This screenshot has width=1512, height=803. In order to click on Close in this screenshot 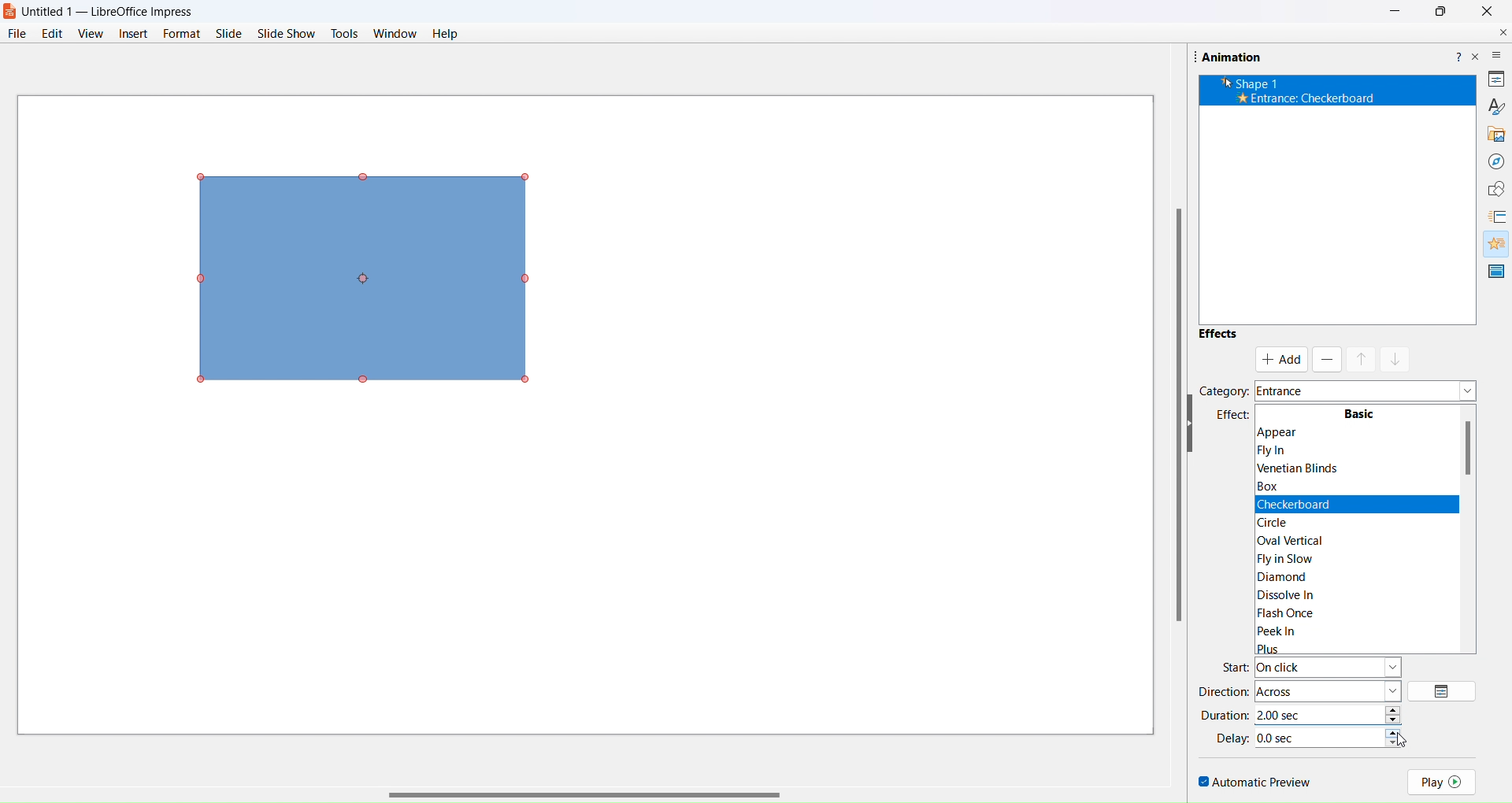, I will do `click(1492, 14)`.